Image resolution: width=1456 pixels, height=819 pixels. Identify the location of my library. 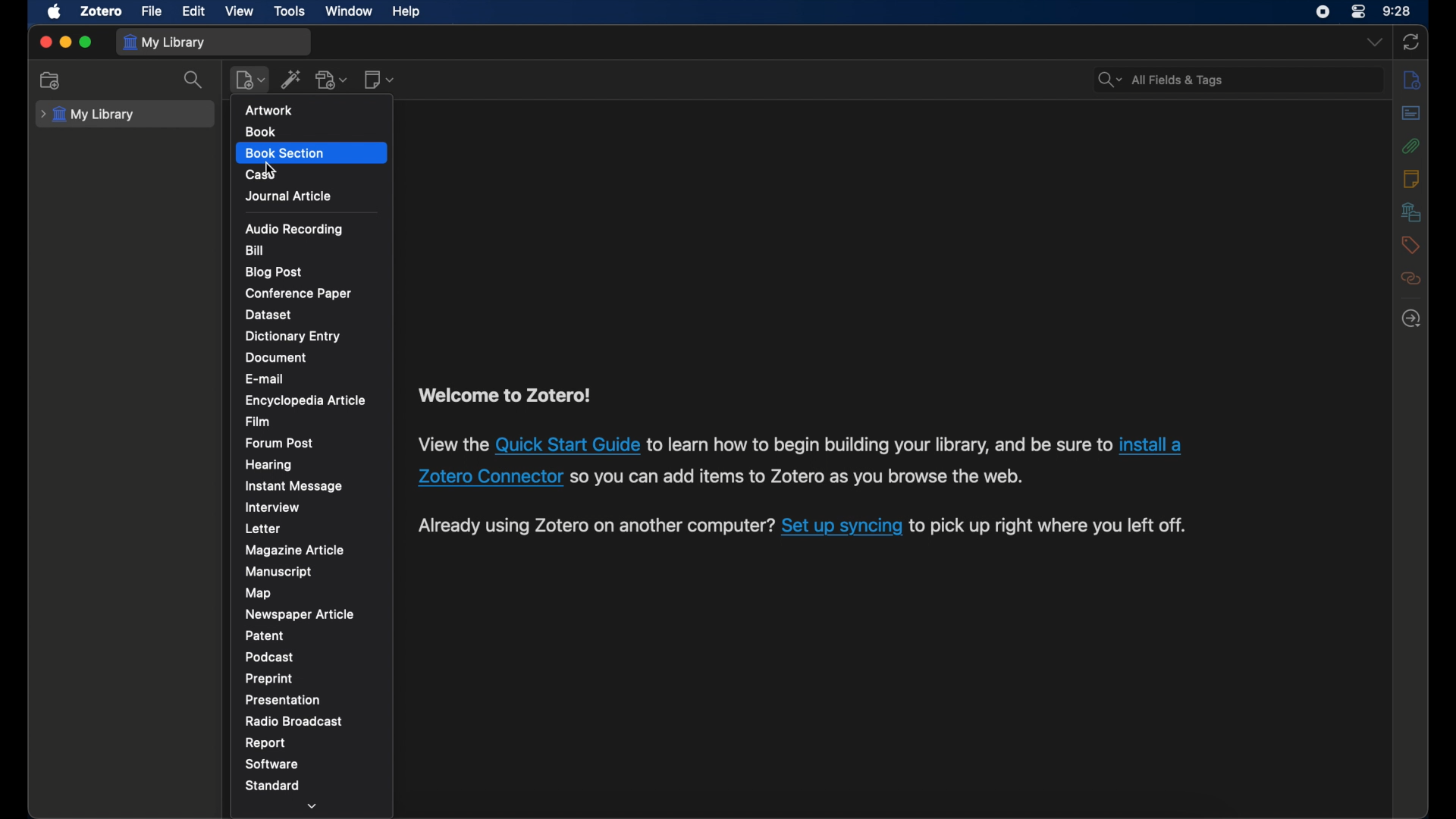
(90, 115).